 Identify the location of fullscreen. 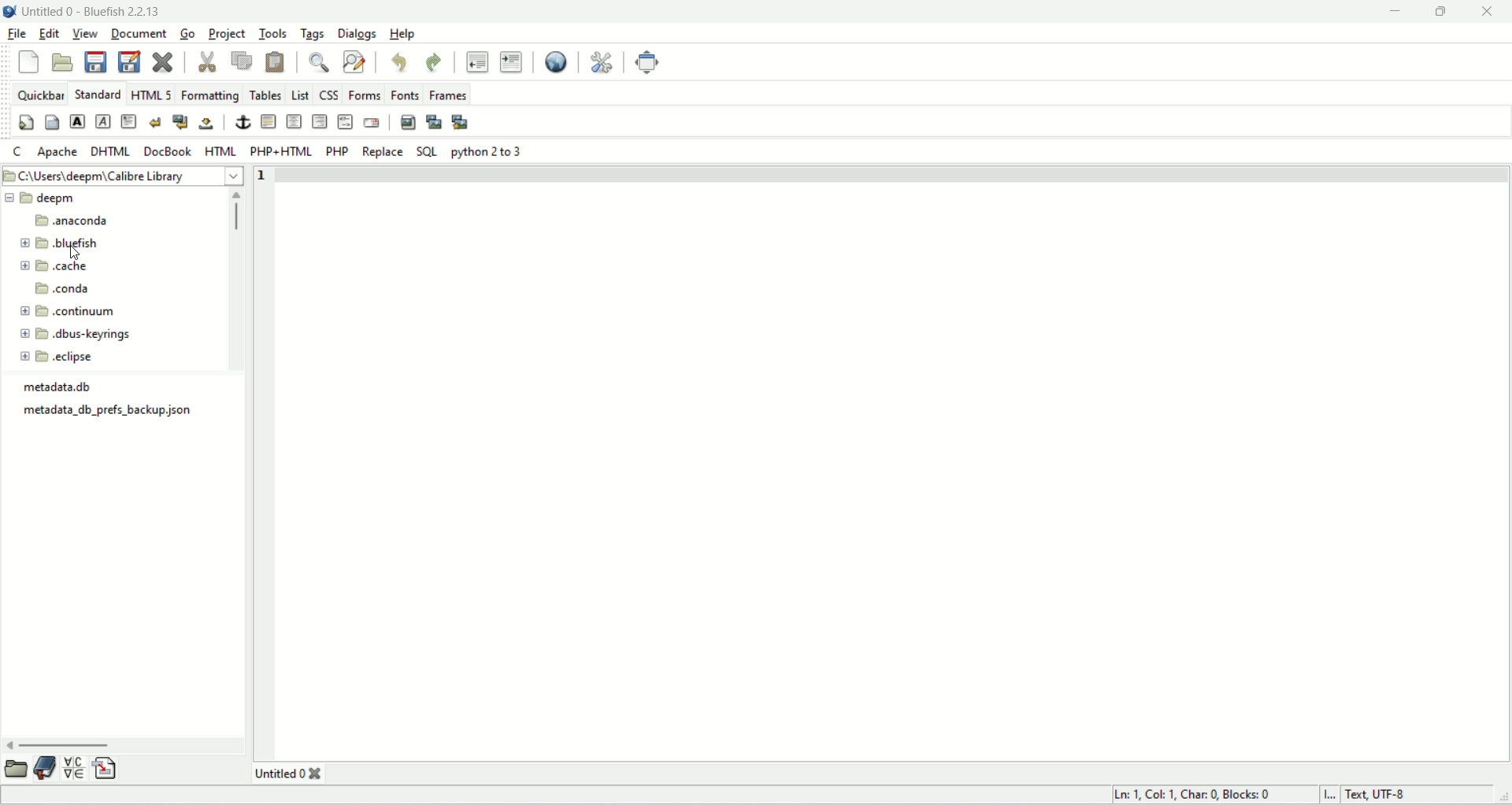
(647, 61).